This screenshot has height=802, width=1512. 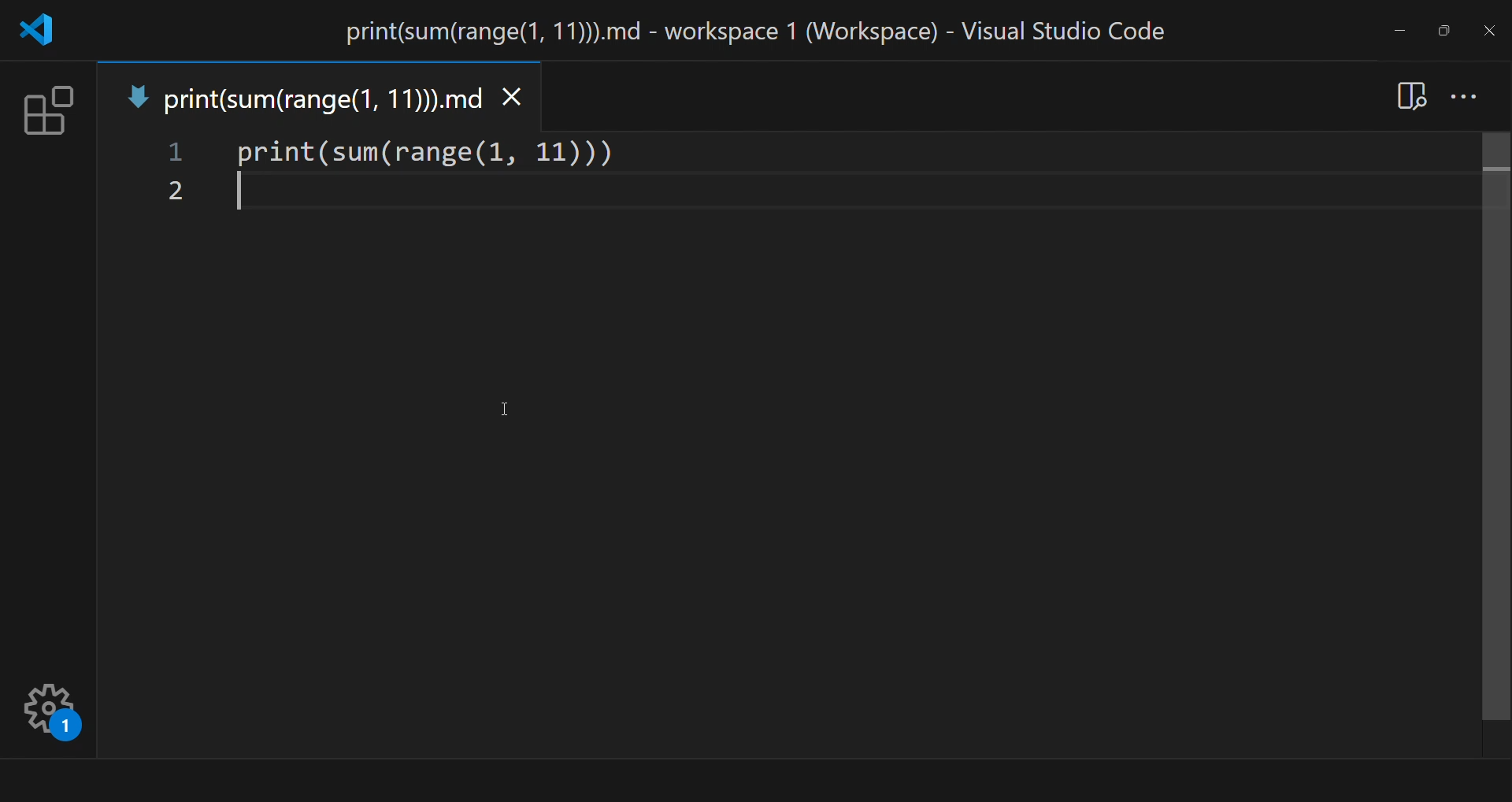 What do you see at coordinates (1443, 34) in the screenshot?
I see `maximize` at bounding box center [1443, 34].